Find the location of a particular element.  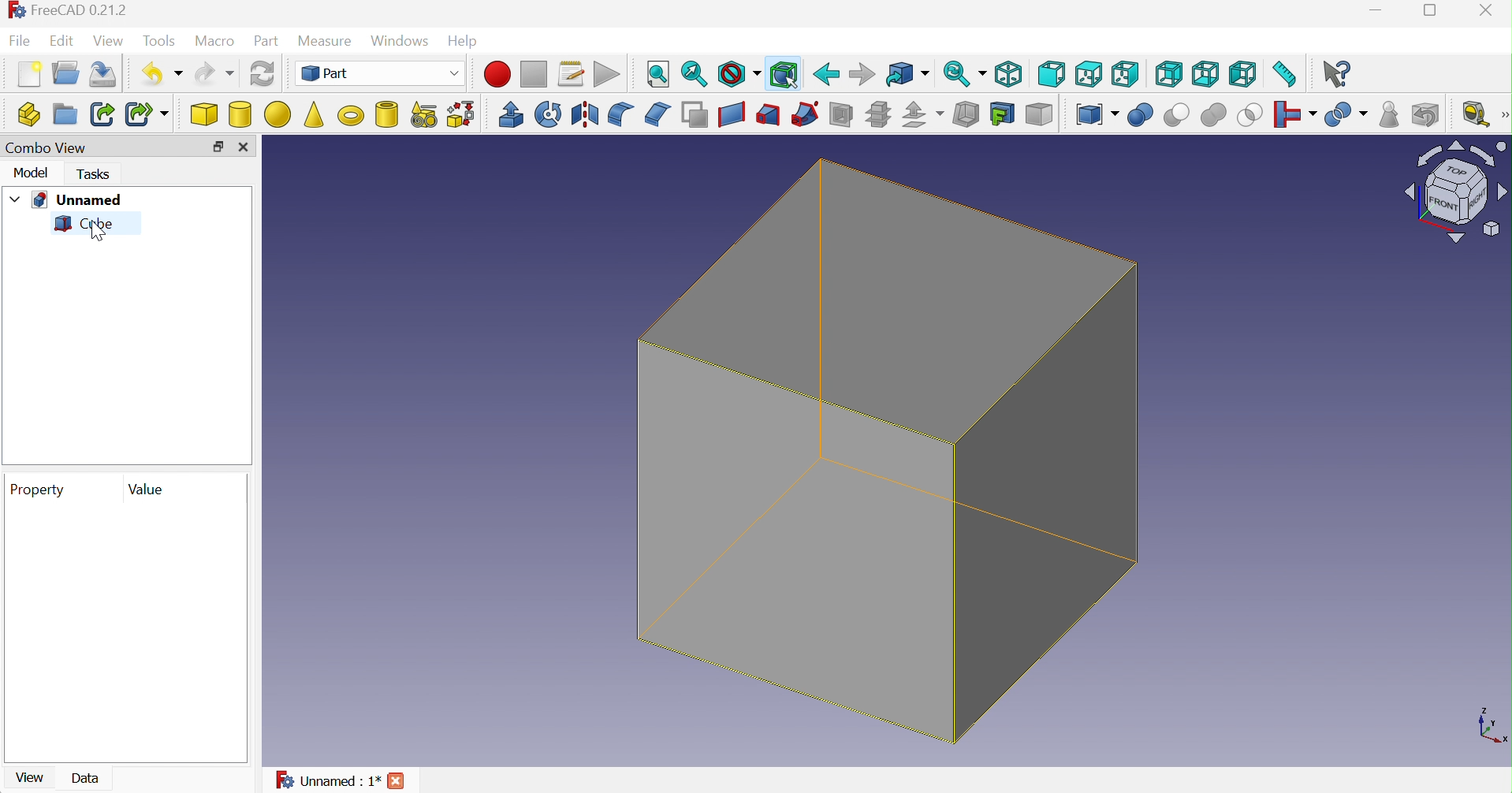

Shape builder is located at coordinates (462, 114).